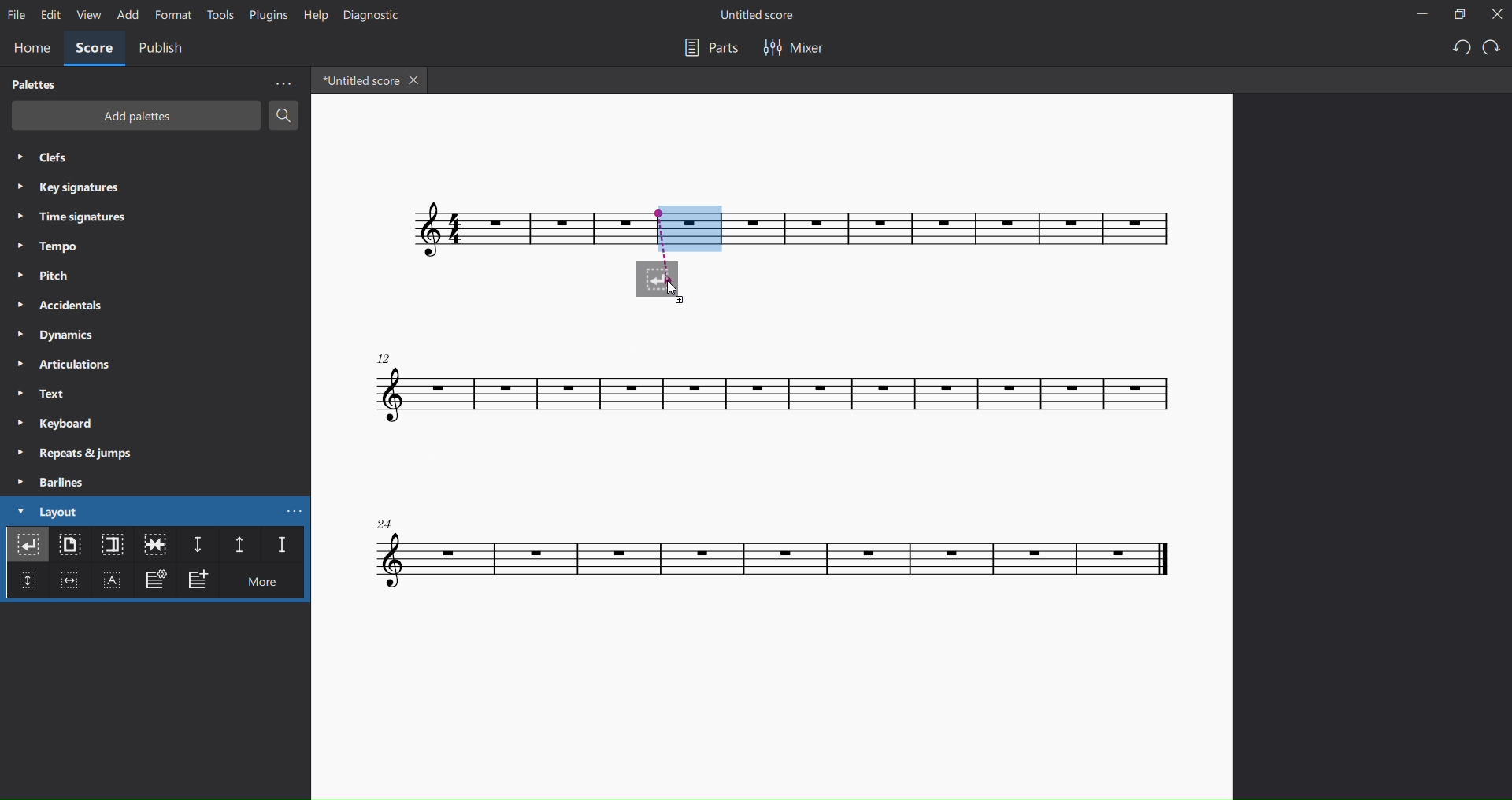 Image resolution: width=1512 pixels, height=800 pixels. I want to click on score, so click(94, 50).